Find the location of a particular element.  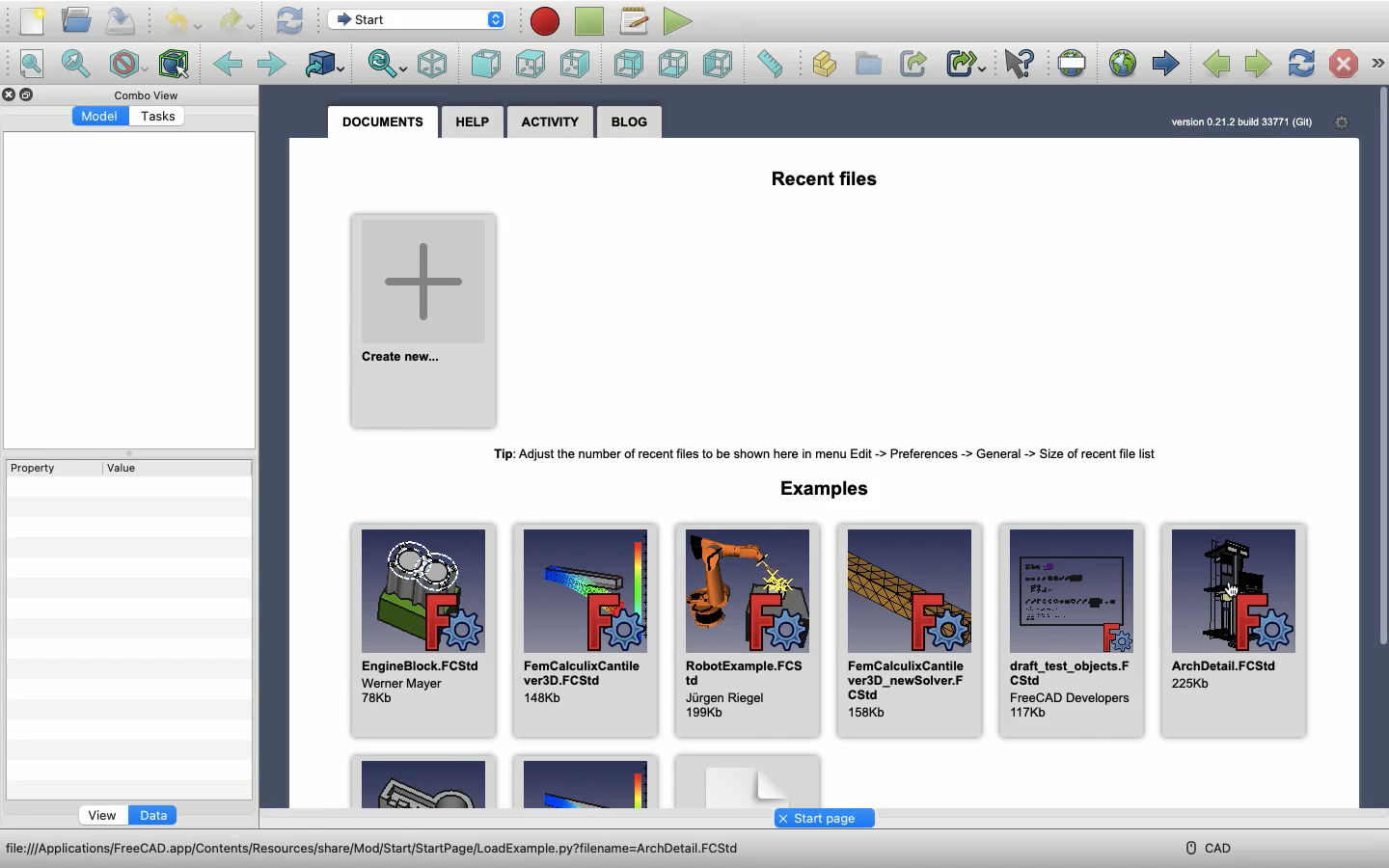

Macros is located at coordinates (635, 20).